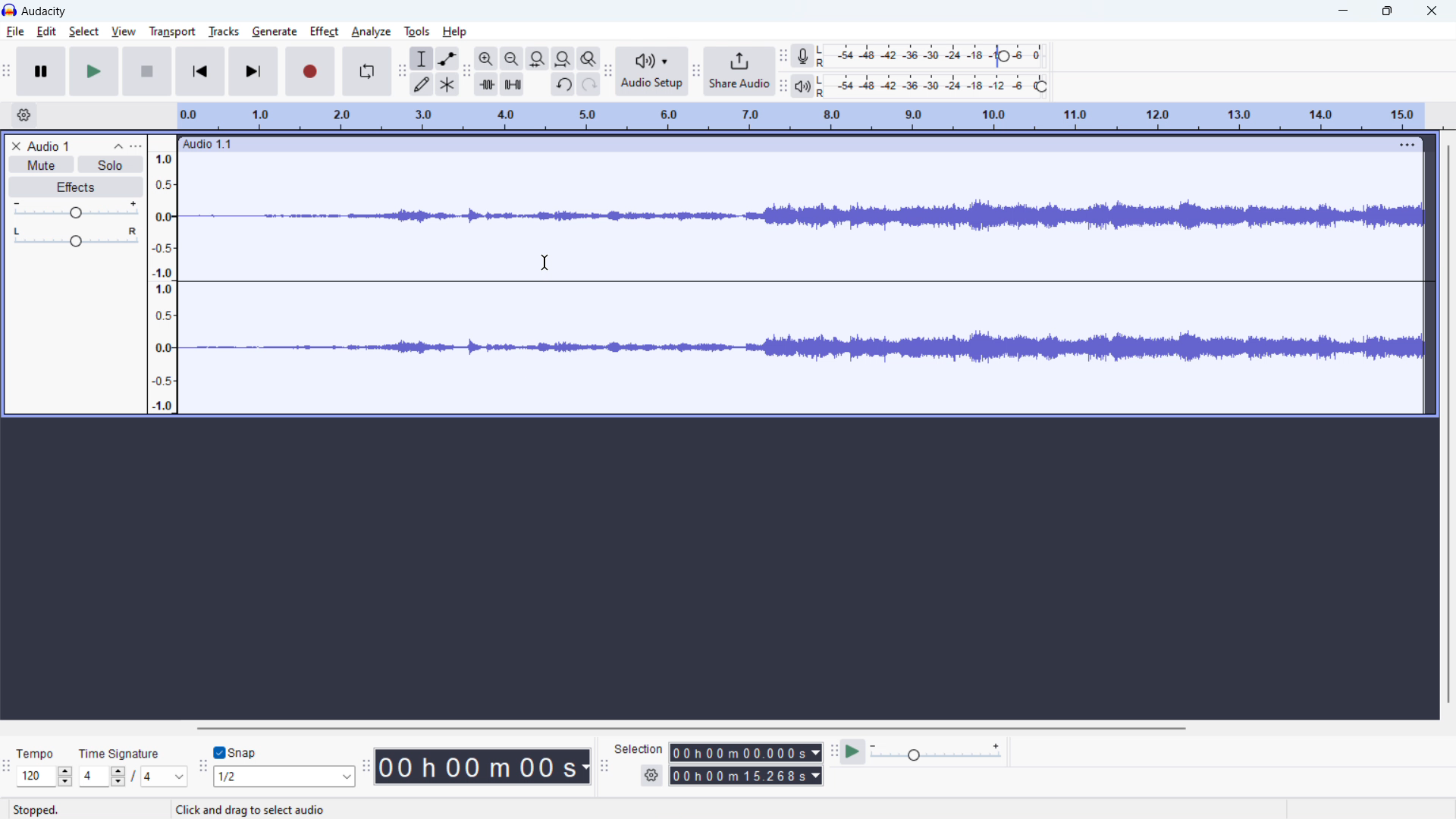 Image resolution: width=1456 pixels, height=819 pixels. Describe the element at coordinates (325, 32) in the screenshot. I see `effect` at that location.